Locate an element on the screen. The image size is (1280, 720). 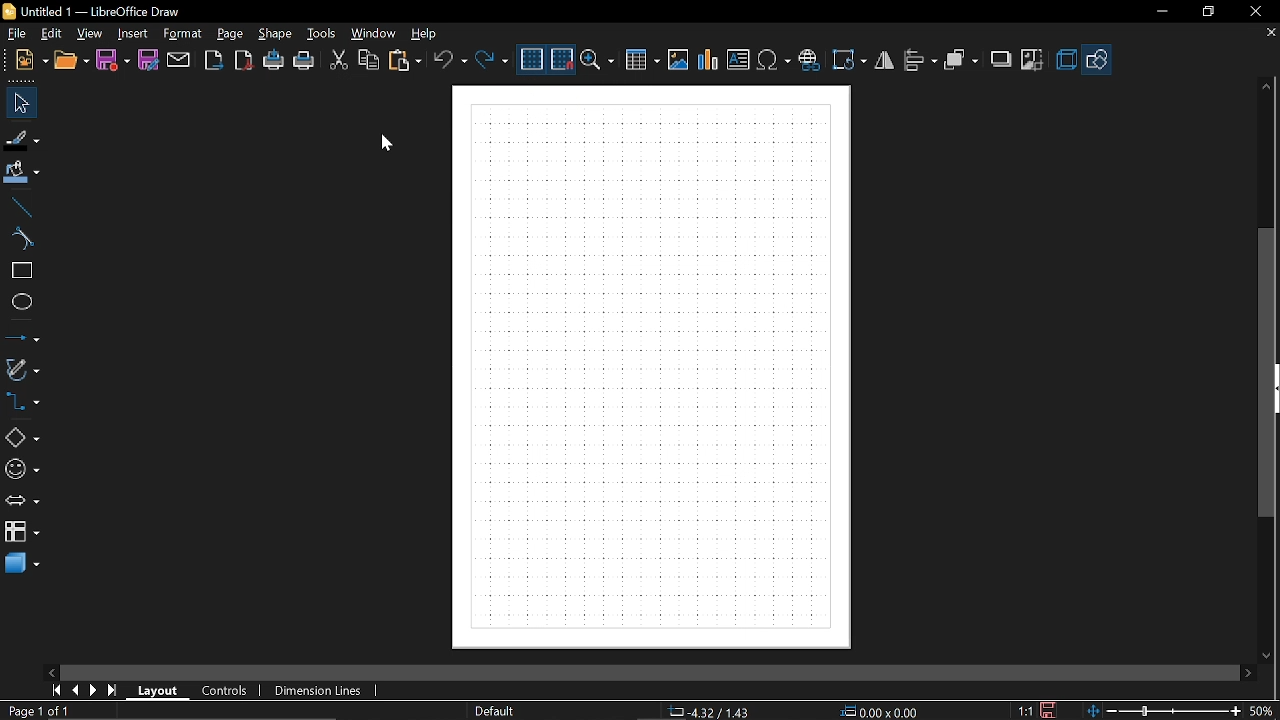
grid is located at coordinates (532, 60).